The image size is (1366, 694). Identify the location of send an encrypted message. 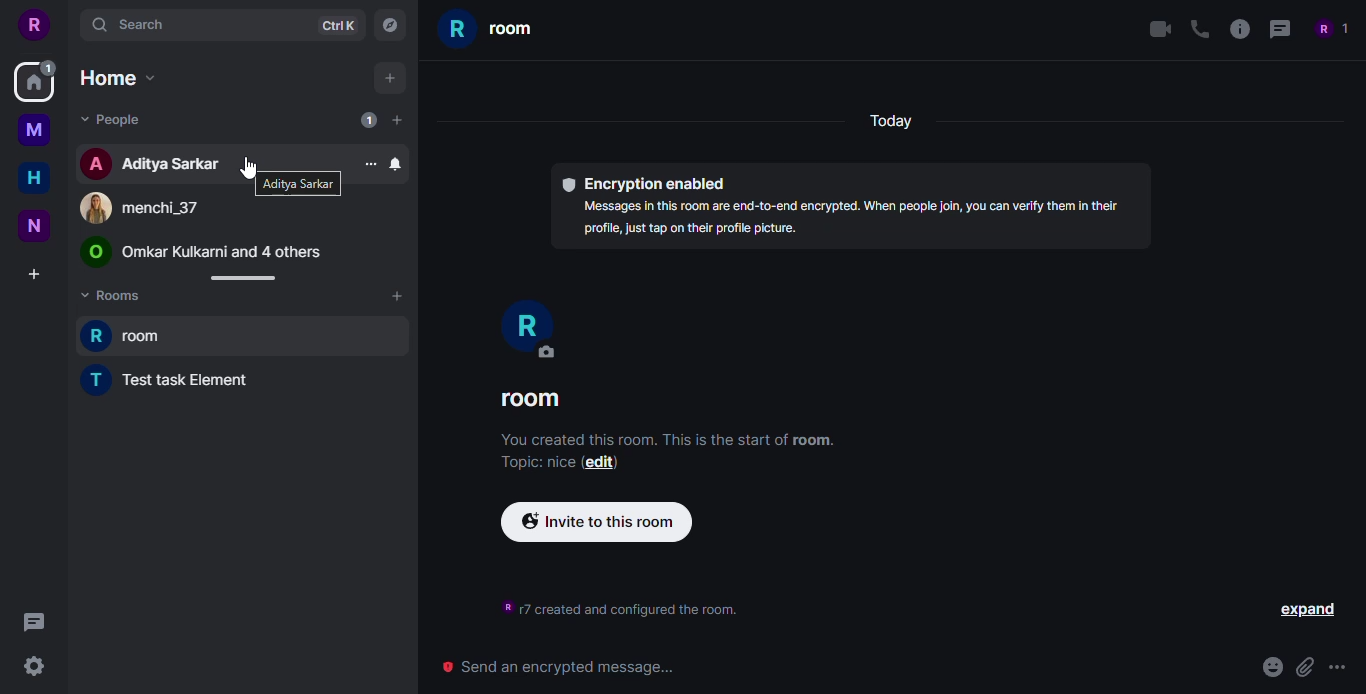
(560, 668).